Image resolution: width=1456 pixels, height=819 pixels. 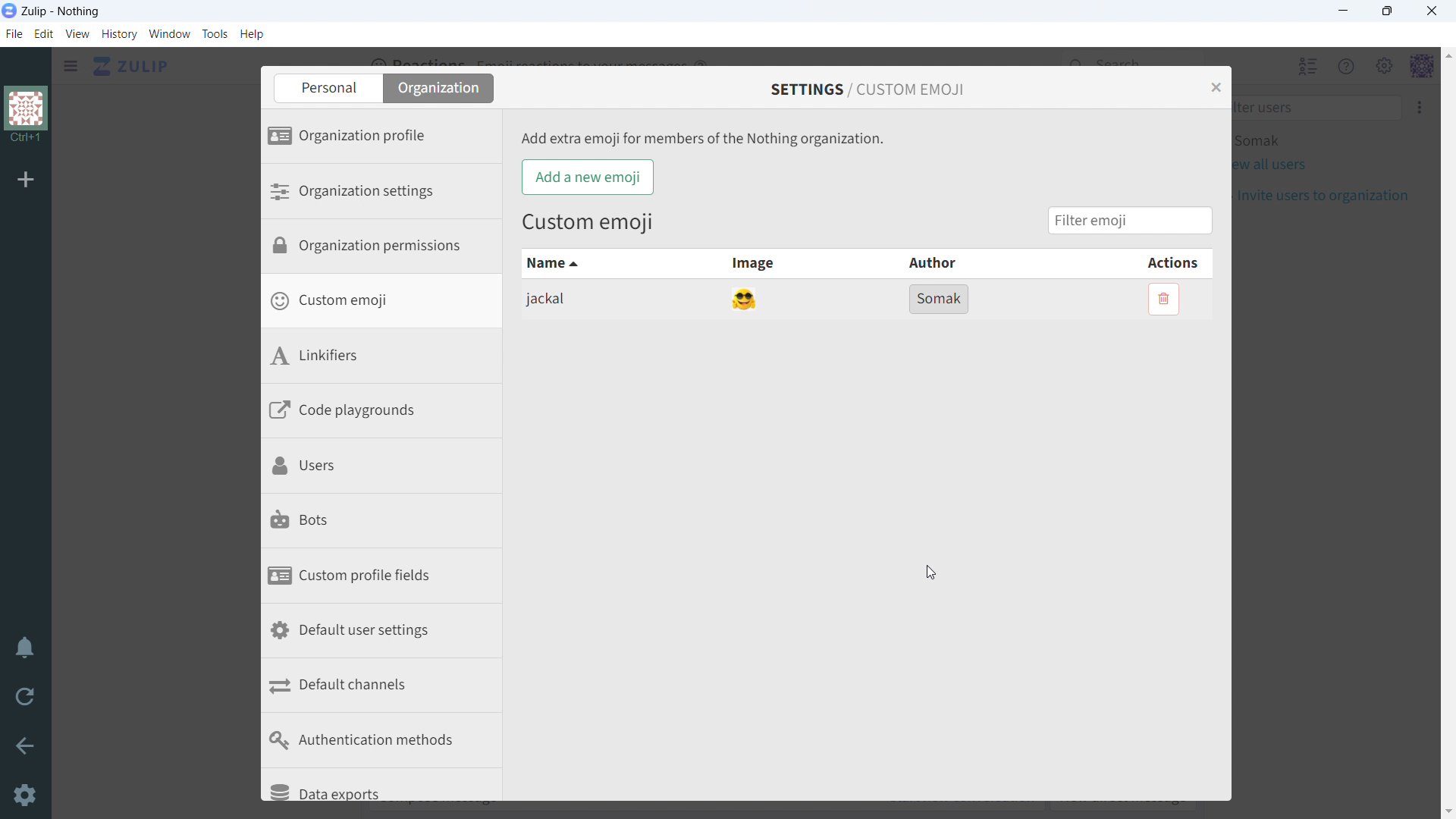 I want to click on Add extra emoji for members of the Nothing organization., so click(x=711, y=139).